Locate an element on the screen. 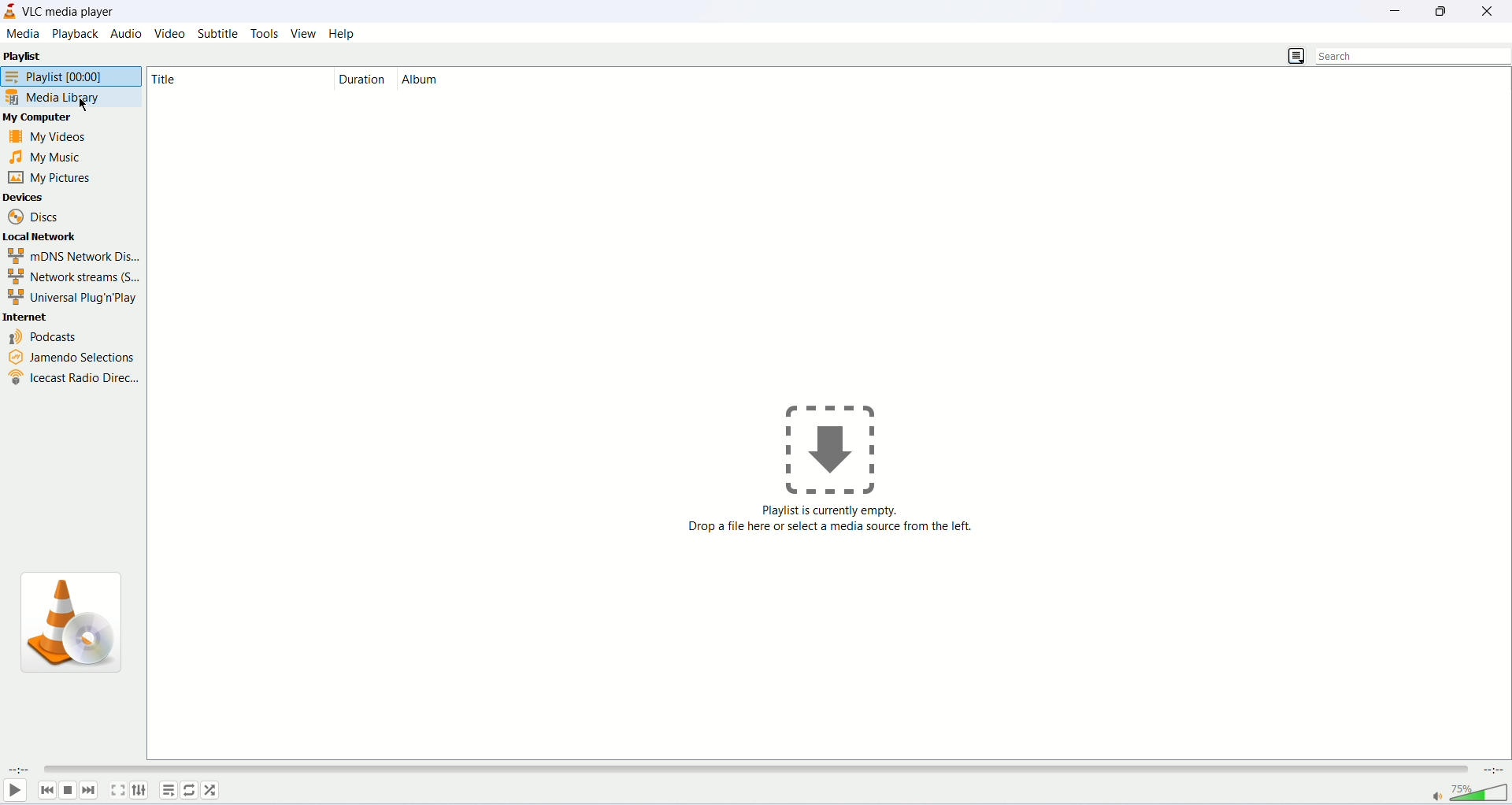  fullscreen is located at coordinates (119, 791).